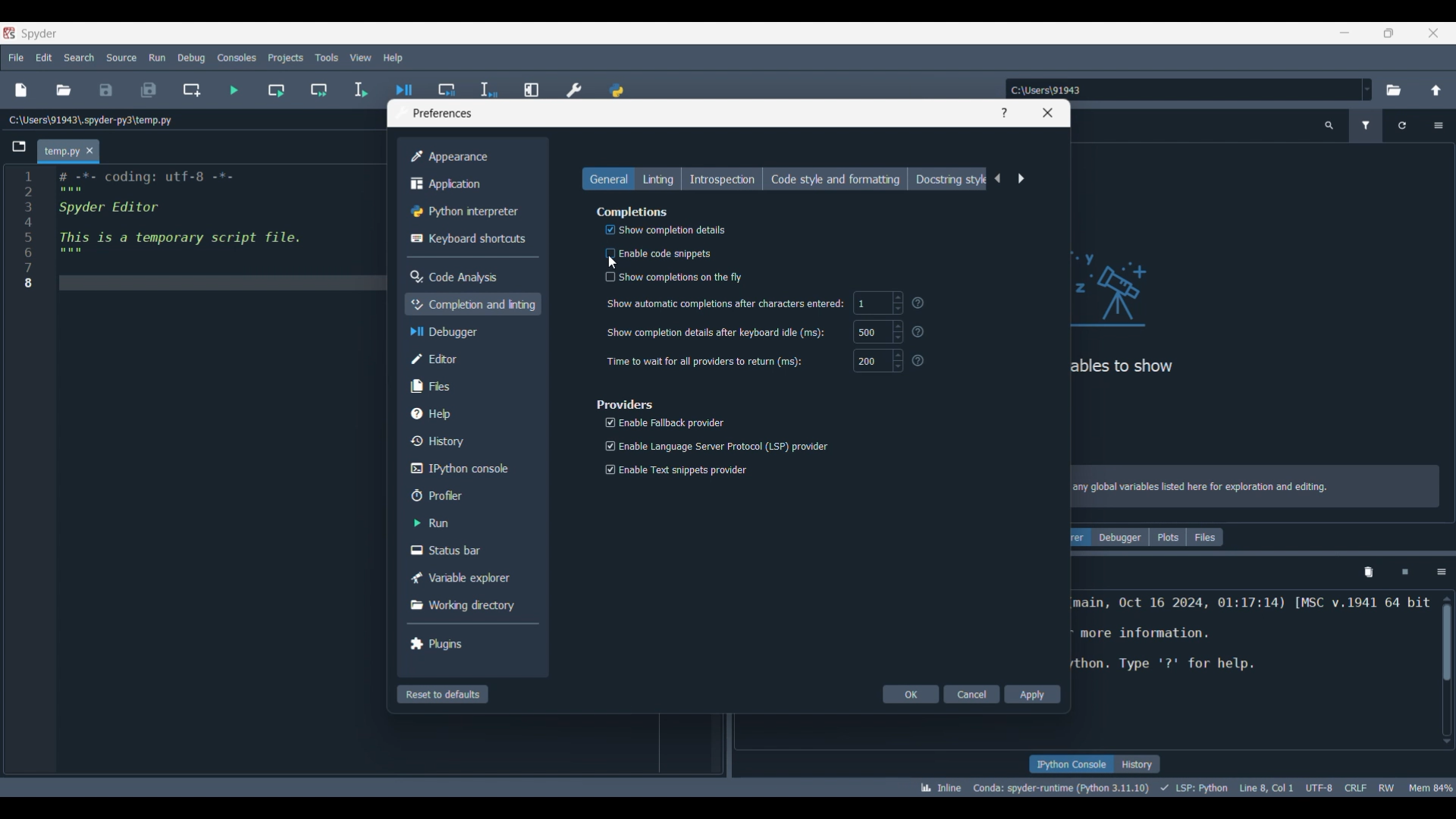  What do you see at coordinates (469, 643) in the screenshot?
I see `Plugins` at bounding box center [469, 643].